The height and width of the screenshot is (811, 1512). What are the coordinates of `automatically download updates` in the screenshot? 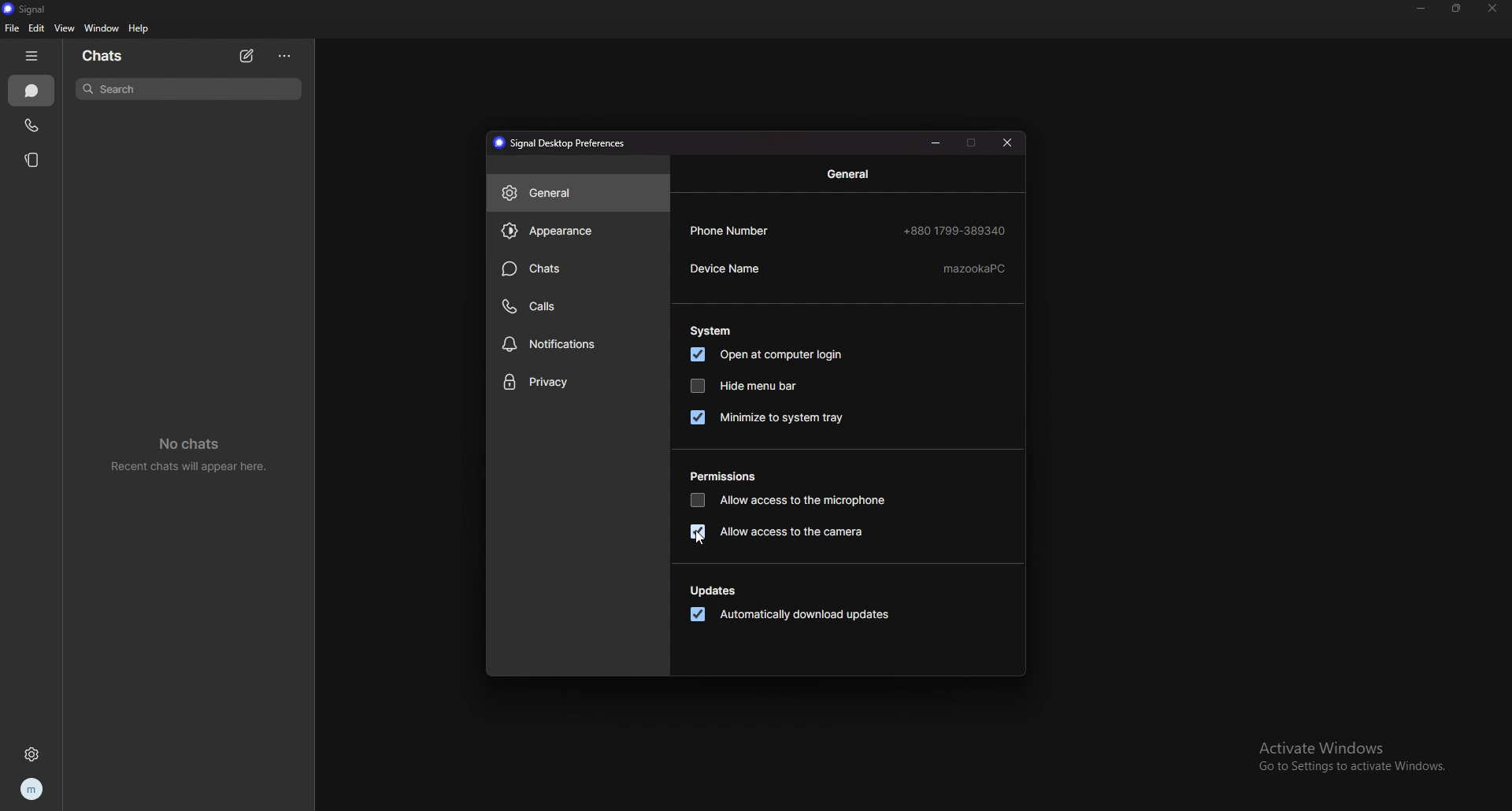 It's located at (791, 616).